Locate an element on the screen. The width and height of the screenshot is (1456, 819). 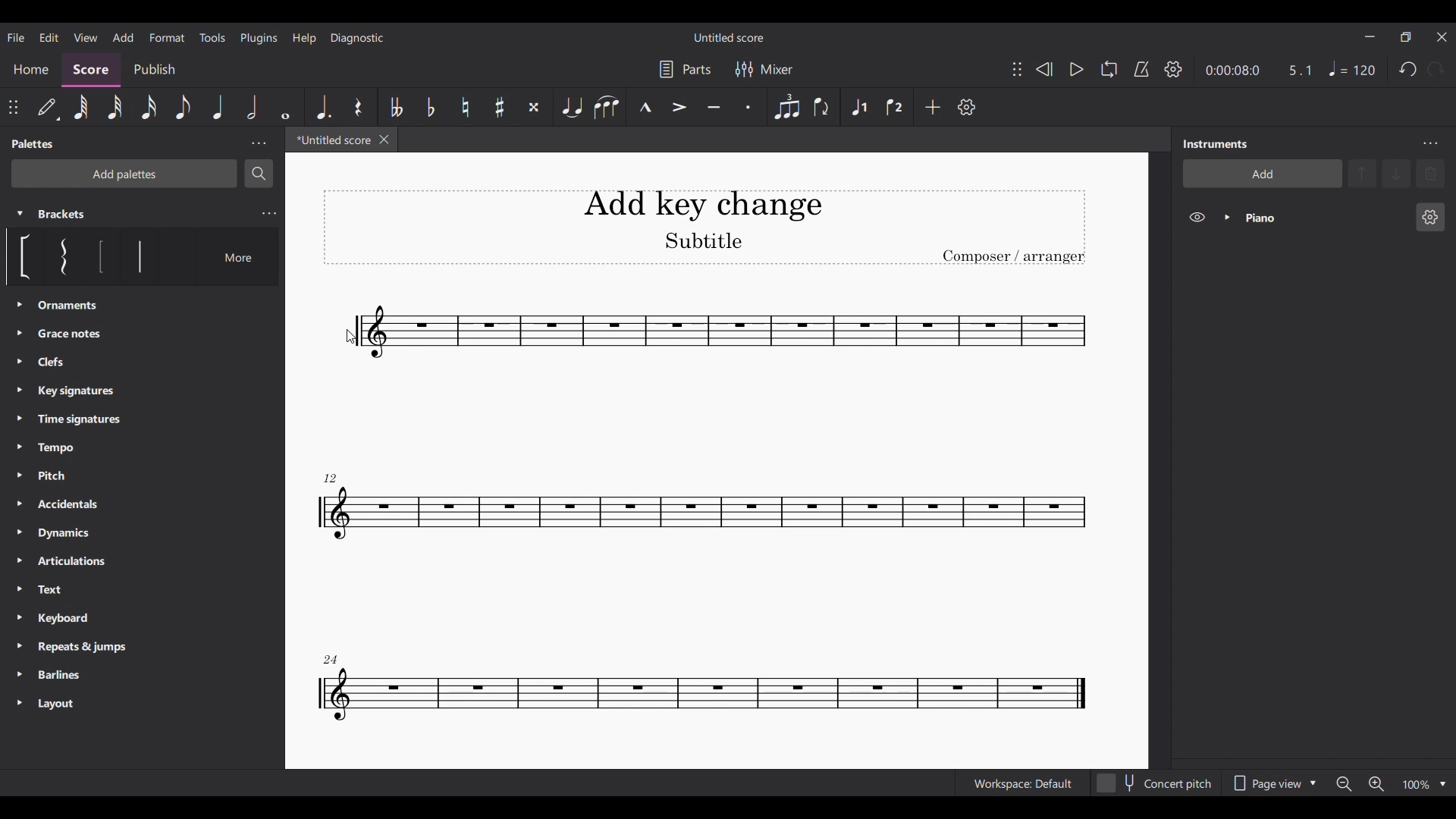
Add menu is located at coordinates (122, 37).